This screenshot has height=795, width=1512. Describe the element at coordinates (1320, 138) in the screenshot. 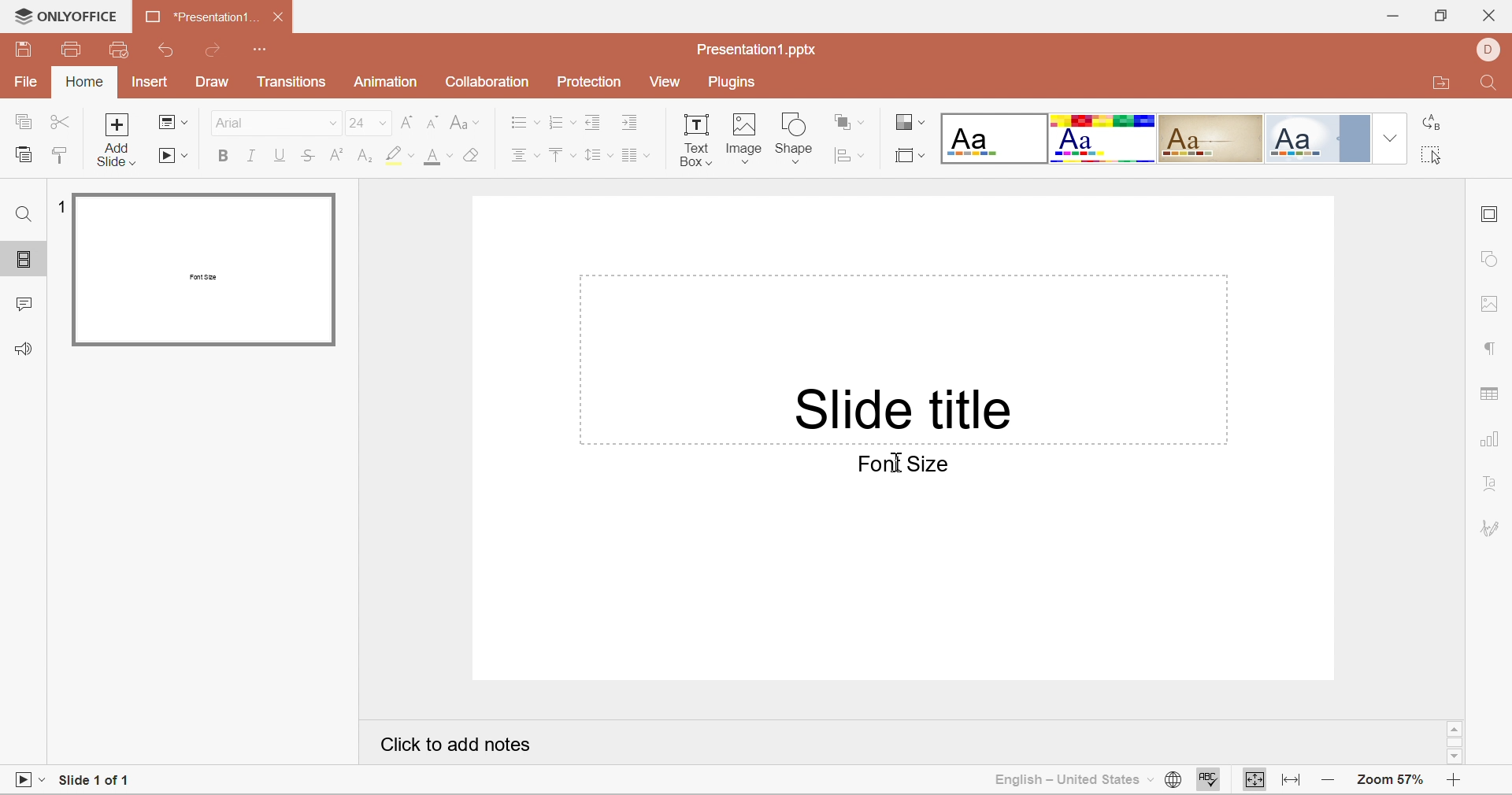

I see `Official` at that location.